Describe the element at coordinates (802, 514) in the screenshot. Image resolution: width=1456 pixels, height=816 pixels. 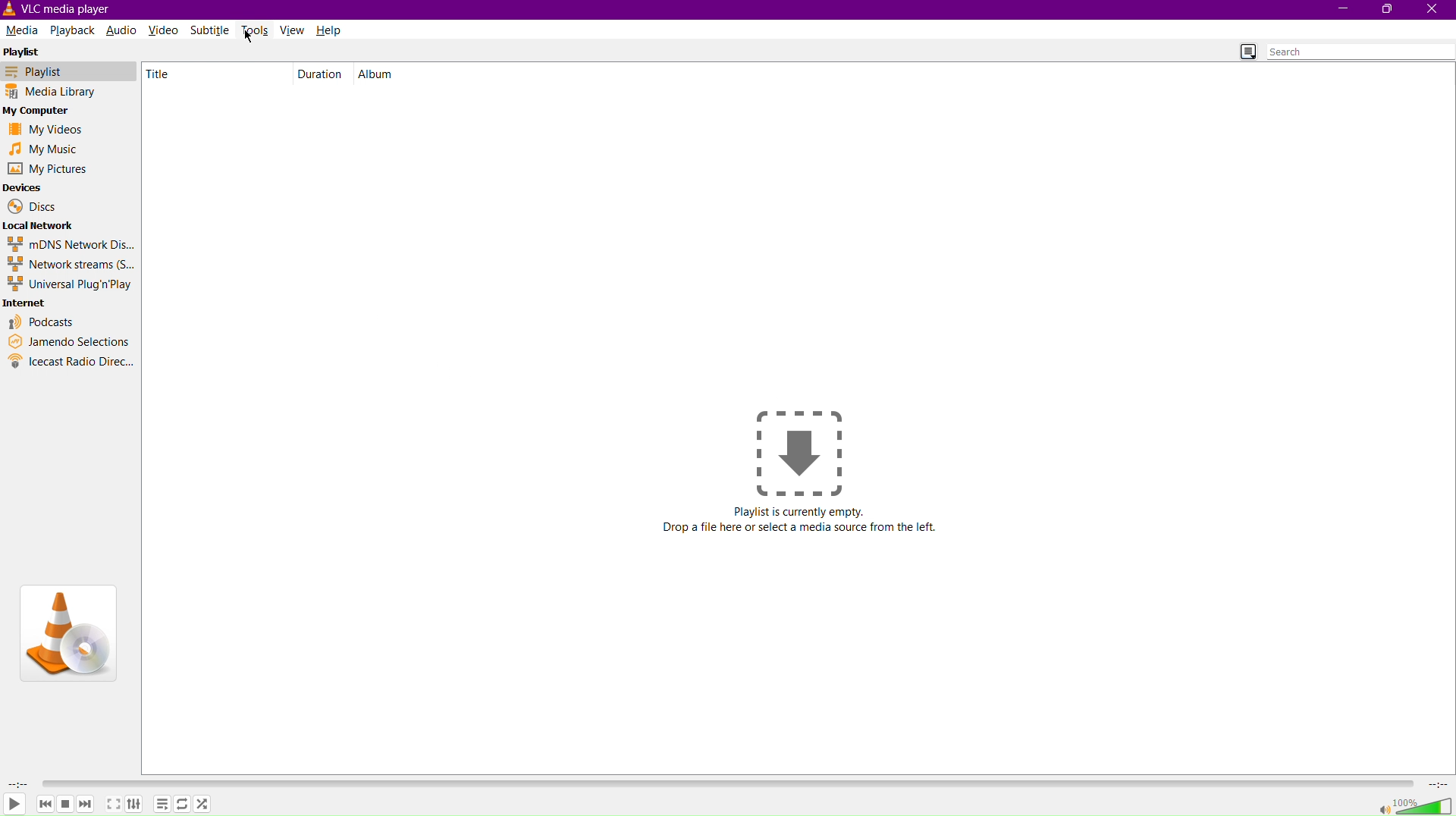
I see `Playlist is currently empty` at that location.